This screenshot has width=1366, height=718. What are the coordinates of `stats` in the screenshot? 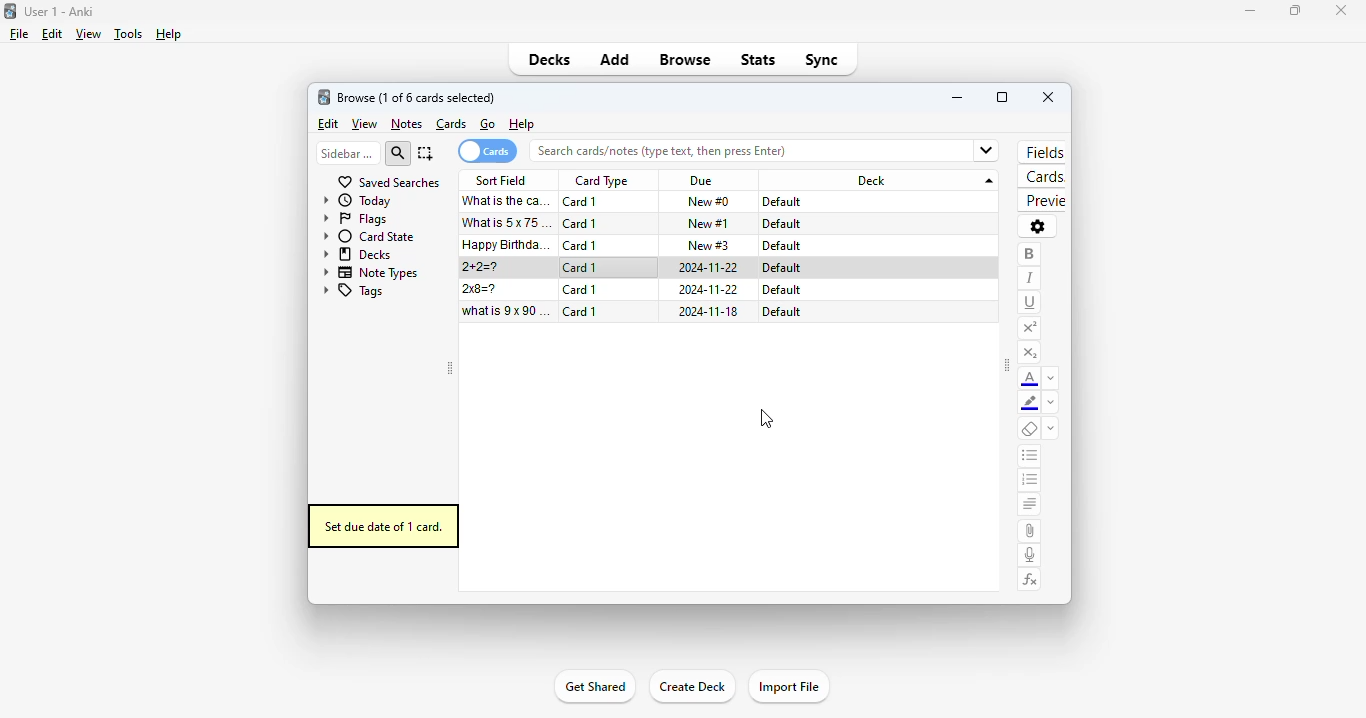 It's located at (758, 59).